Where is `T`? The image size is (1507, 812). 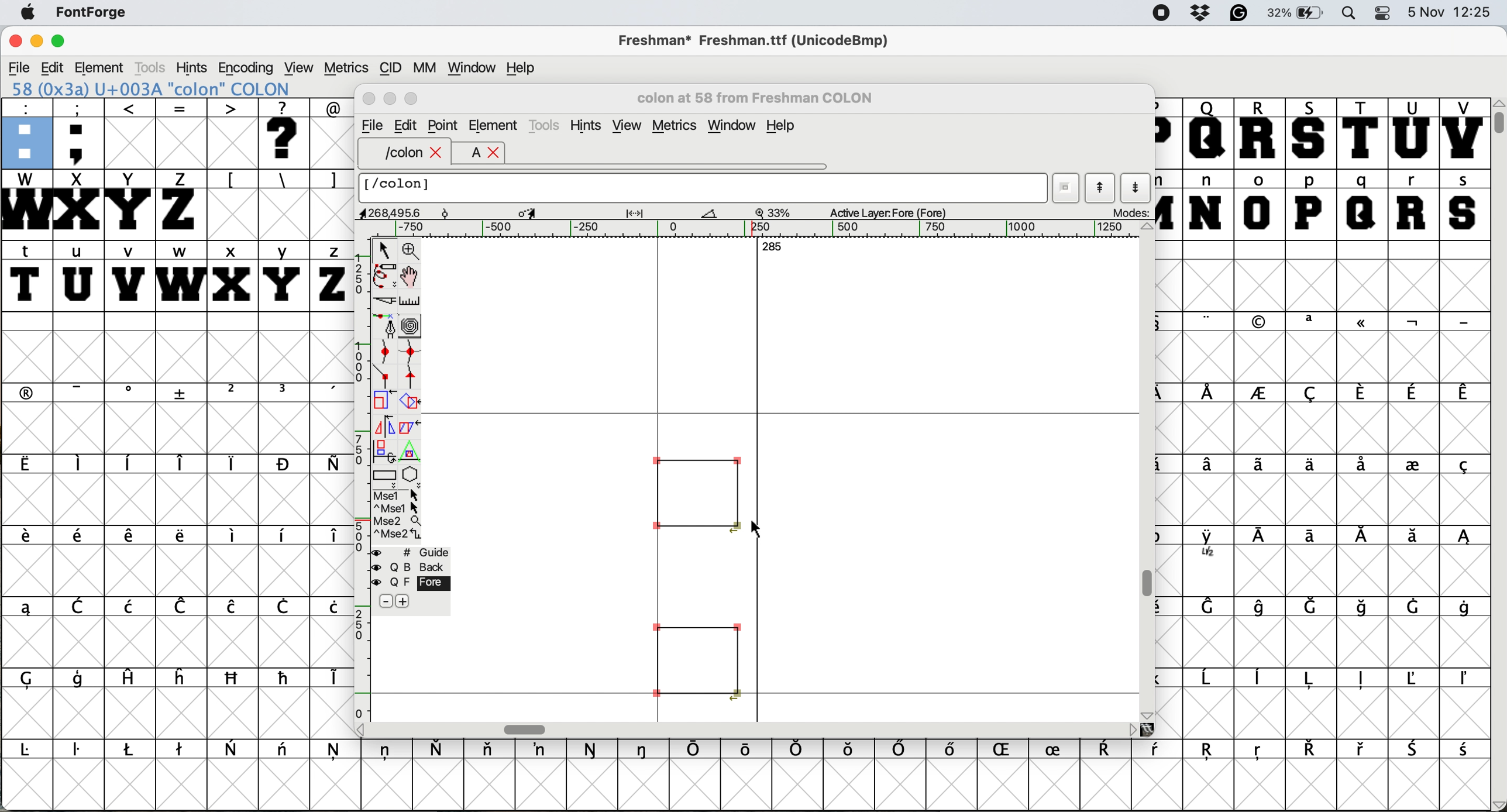
T is located at coordinates (1360, 132).